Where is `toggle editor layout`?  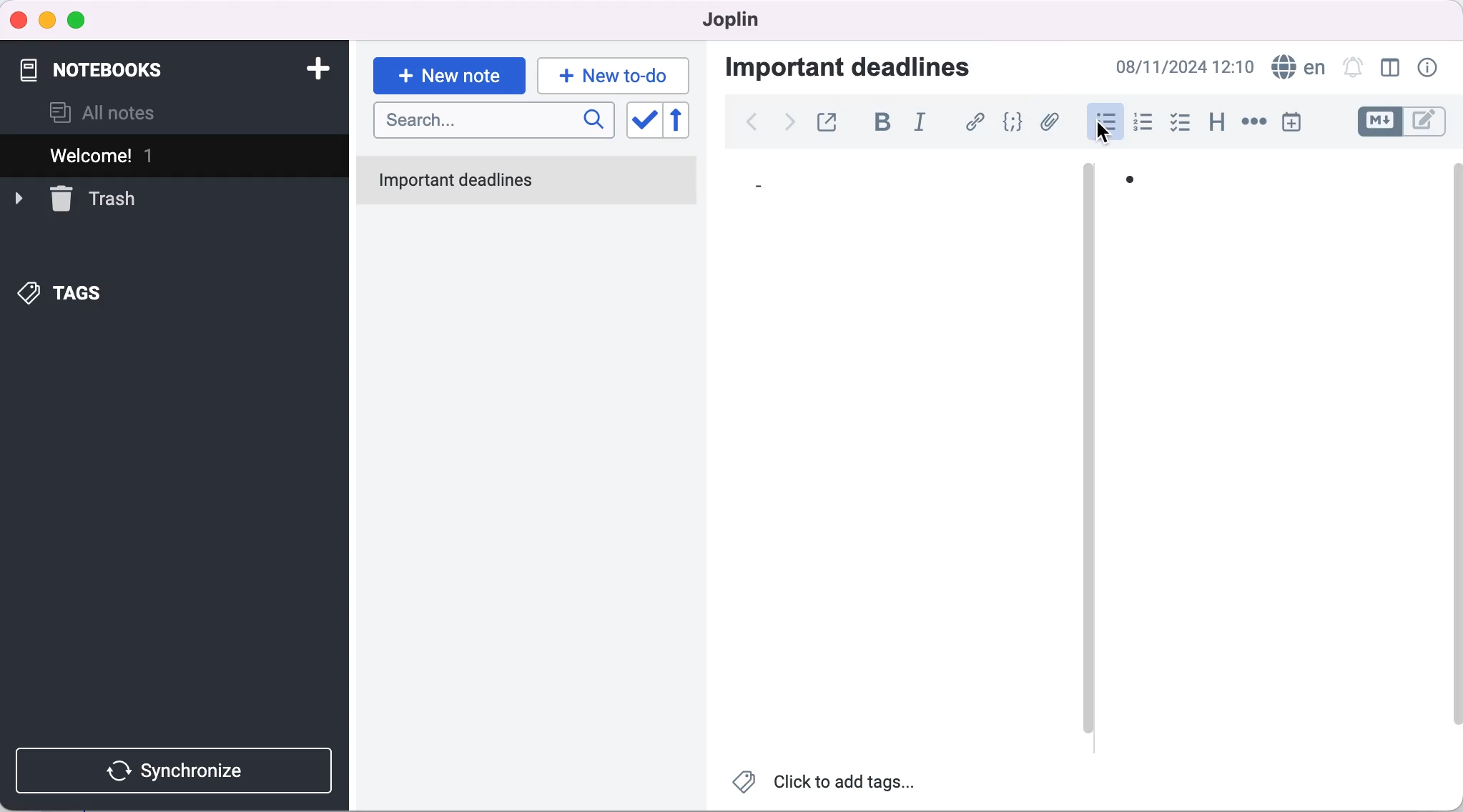 toggle editor layout is located at coordinates (1387, 69).